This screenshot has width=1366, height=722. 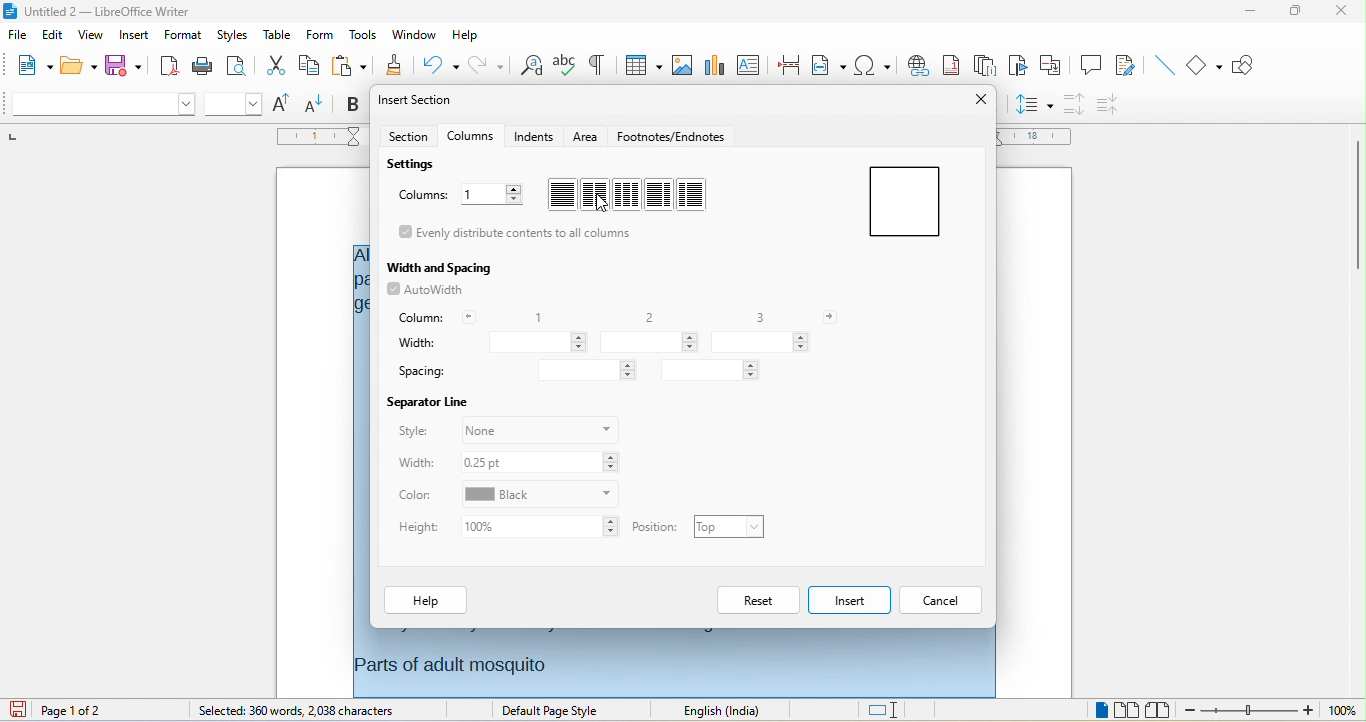 What do you see at coordinates (987, 67) in the screenshot?
I see `endnote` at bounding box center [987, 67].